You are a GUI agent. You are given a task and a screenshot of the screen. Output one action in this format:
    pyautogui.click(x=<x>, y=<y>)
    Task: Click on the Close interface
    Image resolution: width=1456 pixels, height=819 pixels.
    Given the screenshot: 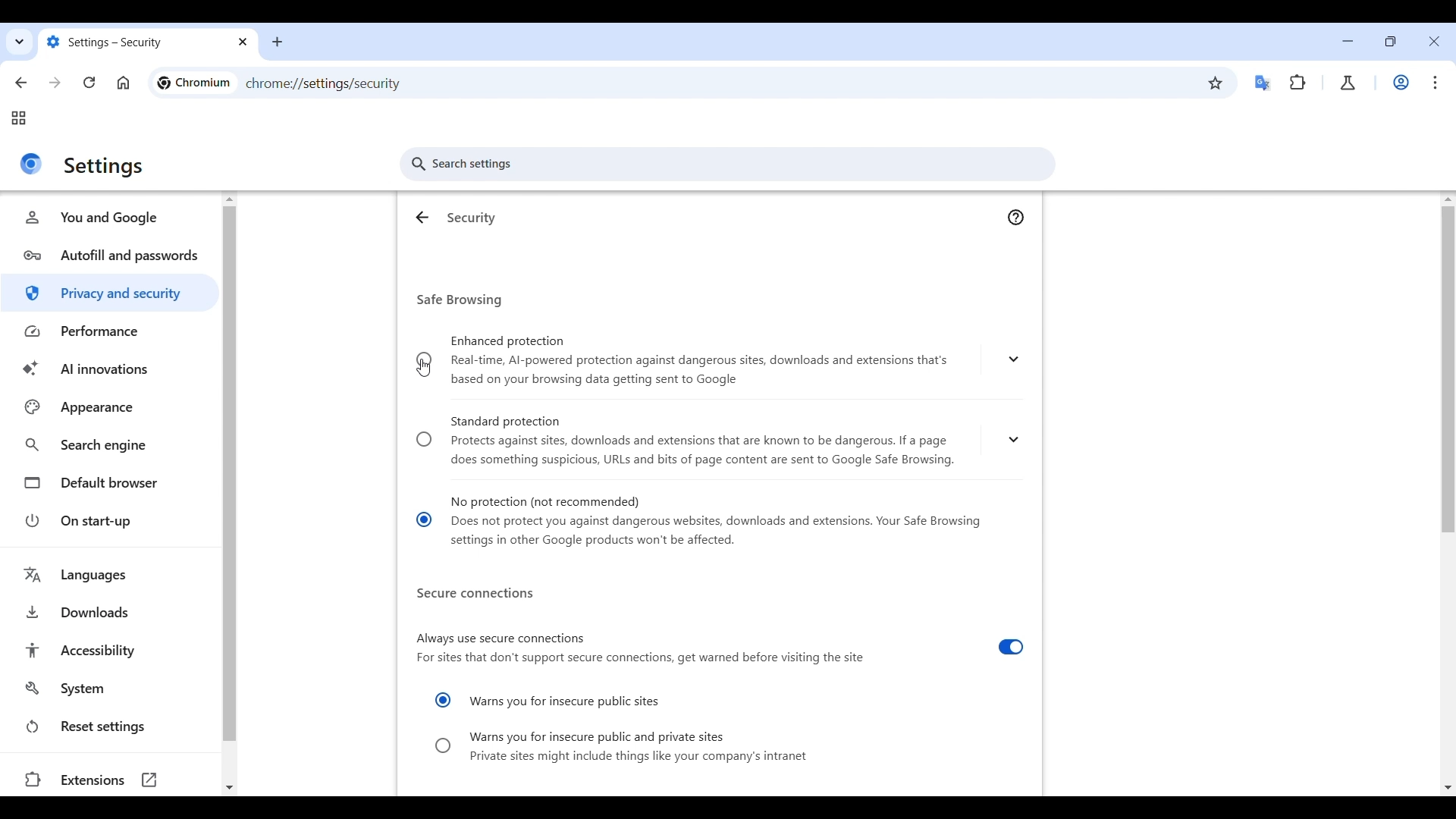 What is the action you would take?
    pyautogui.click(x=1434, y=42)
    